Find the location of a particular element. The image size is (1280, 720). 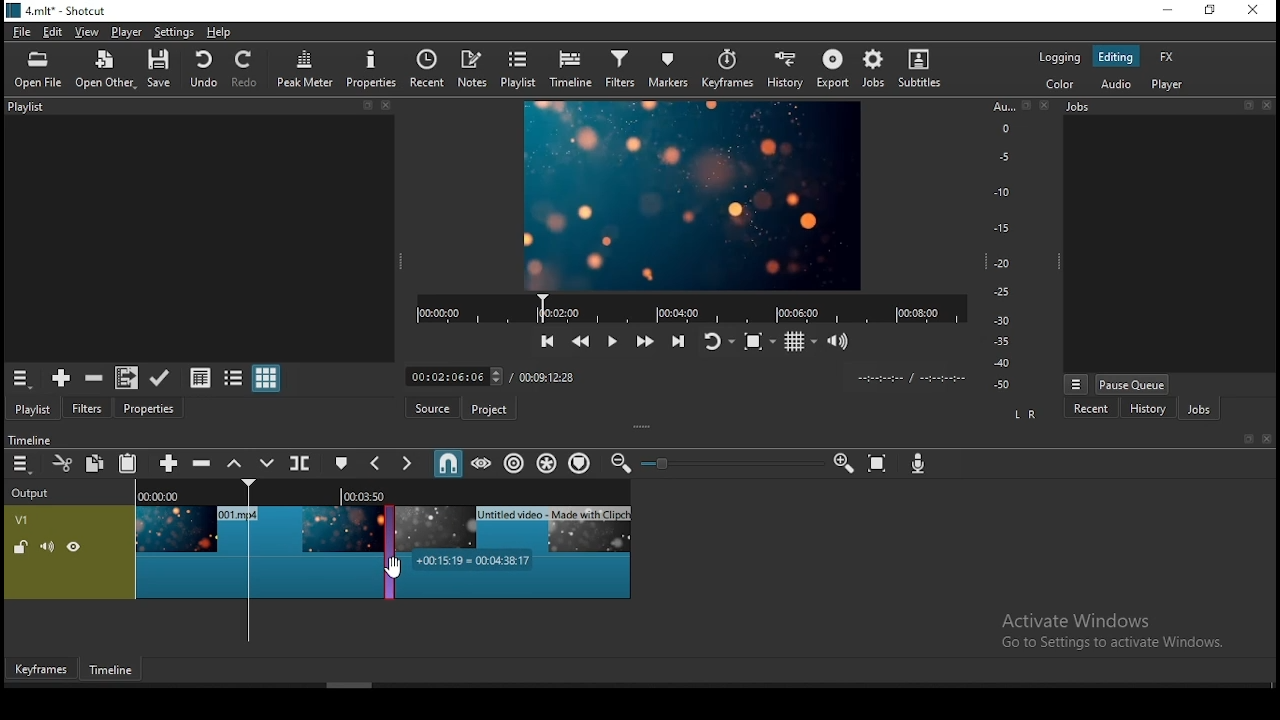

logging is located at coordinates (1059, 58).